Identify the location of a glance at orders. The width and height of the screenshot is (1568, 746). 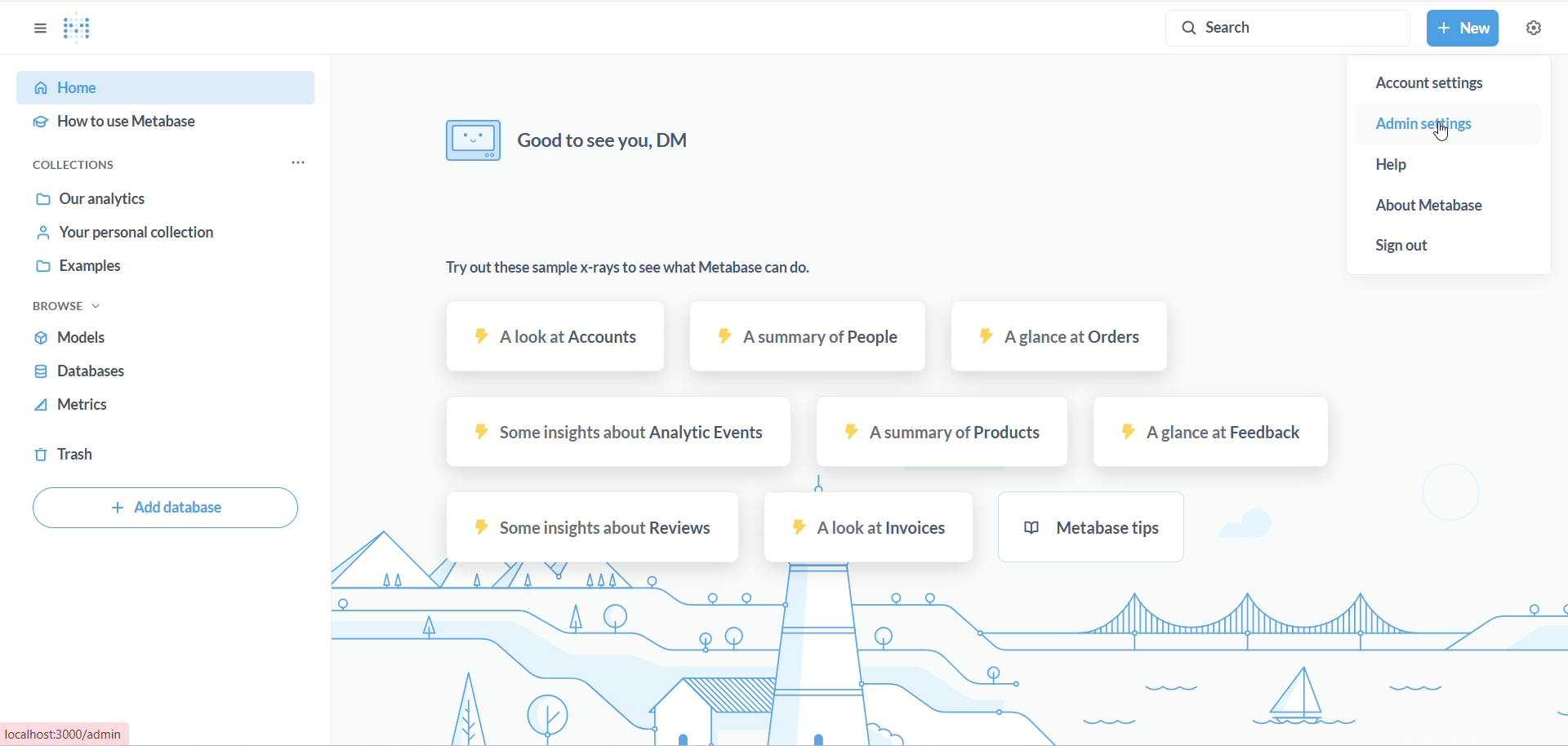
(1057, 338).